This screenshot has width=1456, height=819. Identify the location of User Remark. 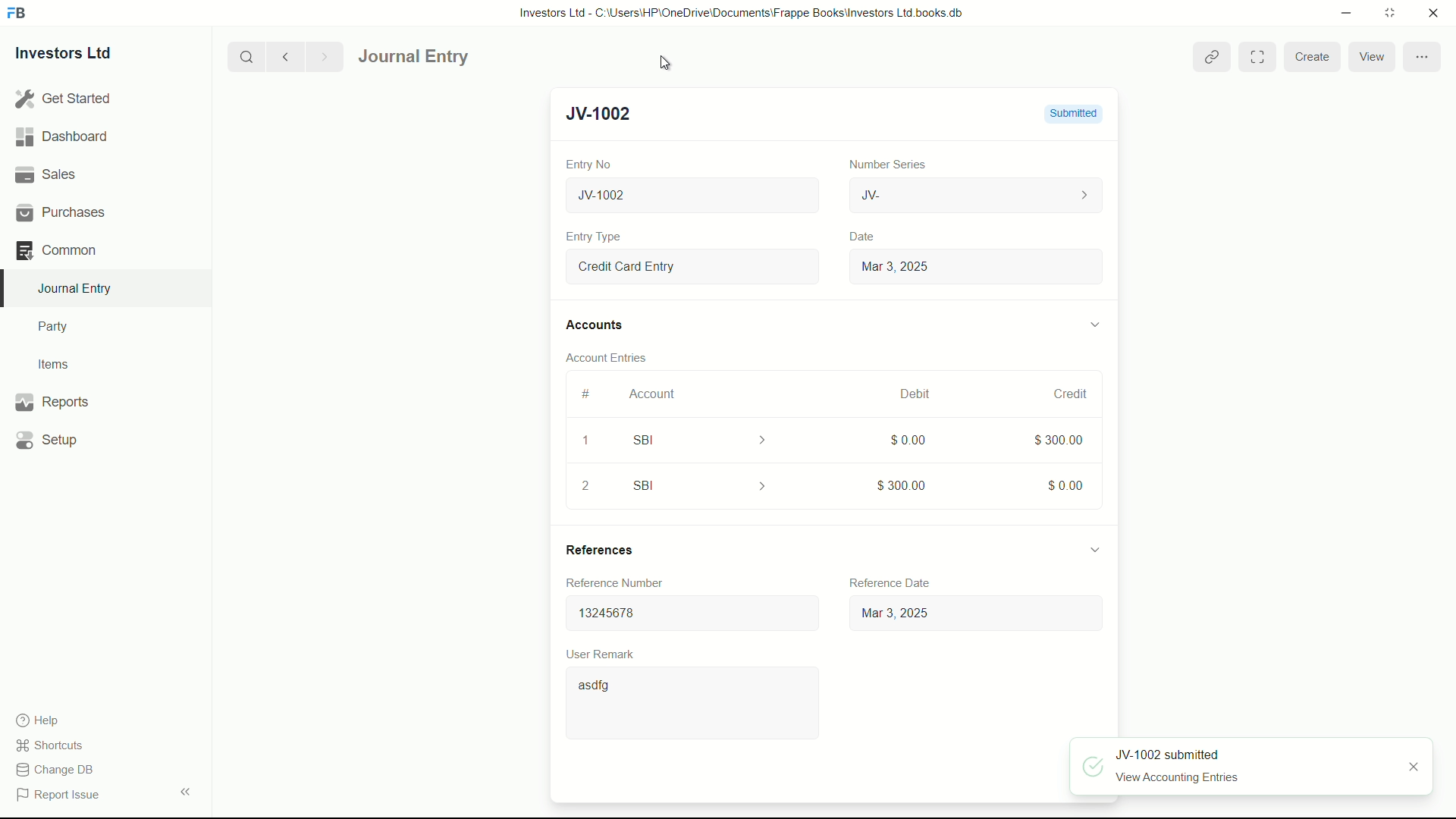
(607, 651).